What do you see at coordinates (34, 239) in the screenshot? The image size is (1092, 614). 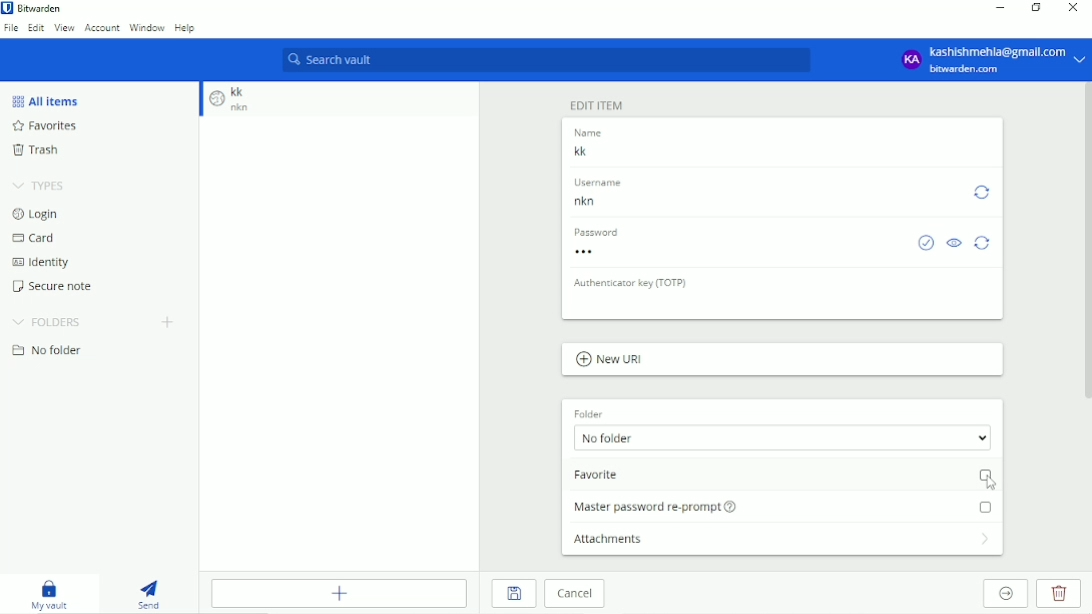 I see `Card` at bounding box center [34, 239].